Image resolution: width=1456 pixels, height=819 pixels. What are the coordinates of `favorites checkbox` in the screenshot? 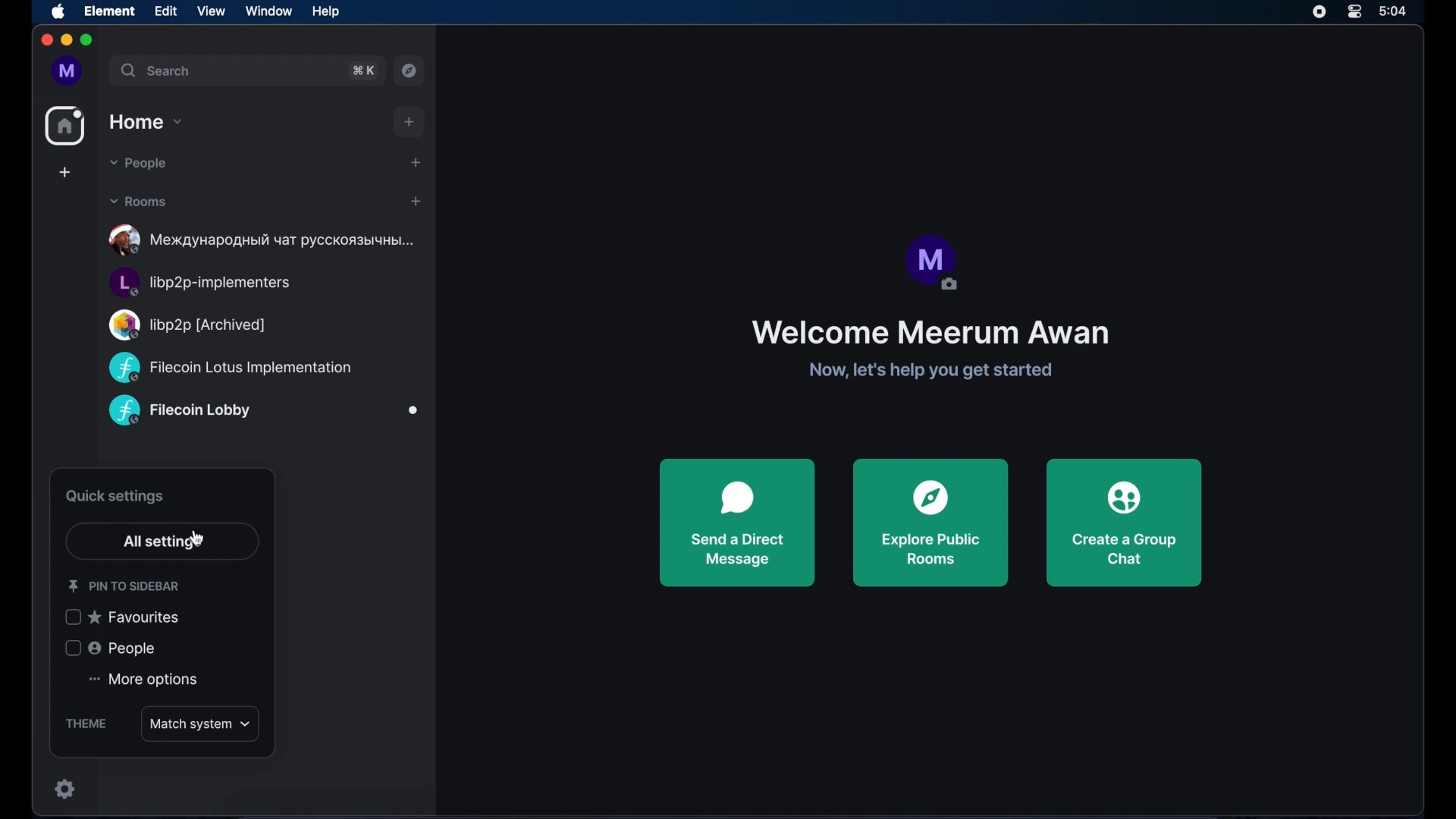 It's located at (122, 617).